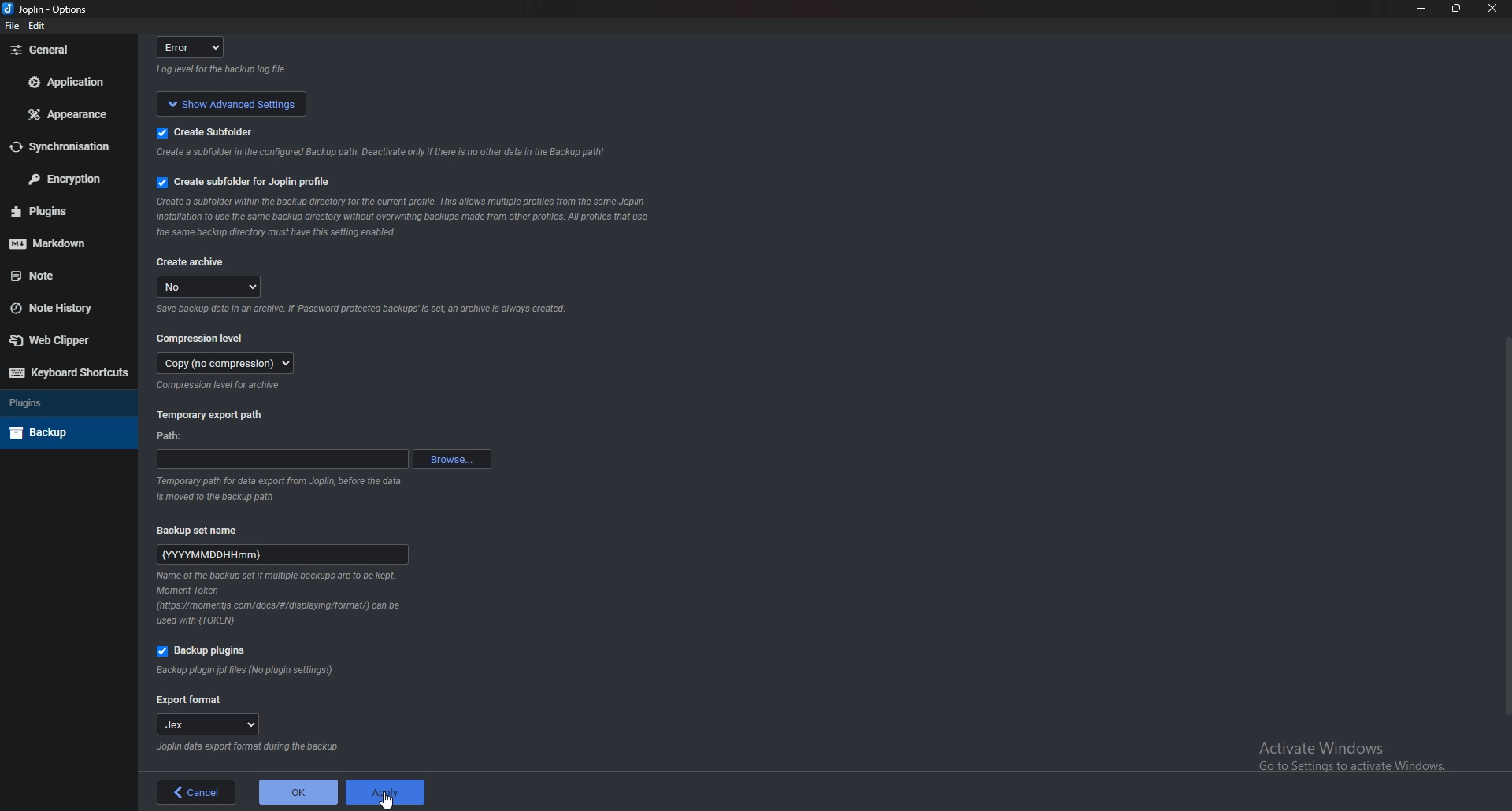 This screenshot has height=811, width=1512. What do you see at coordinates (197, 792) in the screenshot?
I see `cancel` at bounding box center [197, 792].